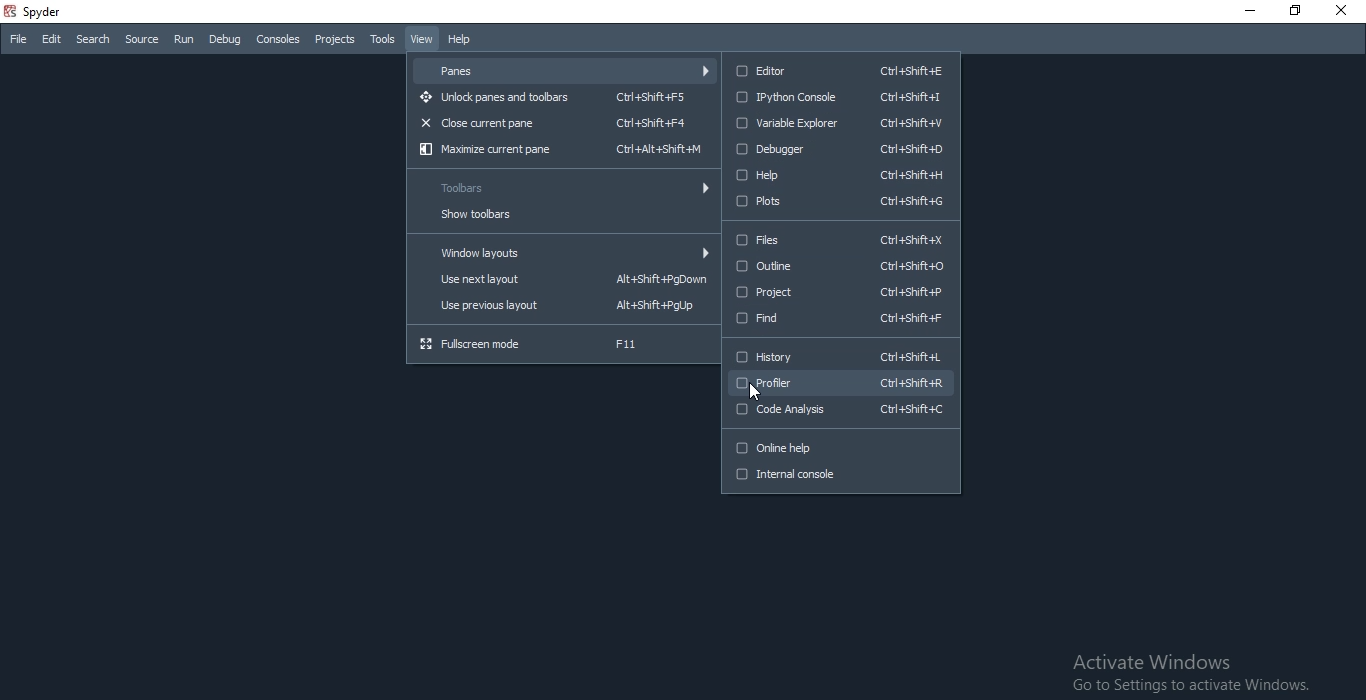  I want to click on Use previous layout, so click(559, 308).